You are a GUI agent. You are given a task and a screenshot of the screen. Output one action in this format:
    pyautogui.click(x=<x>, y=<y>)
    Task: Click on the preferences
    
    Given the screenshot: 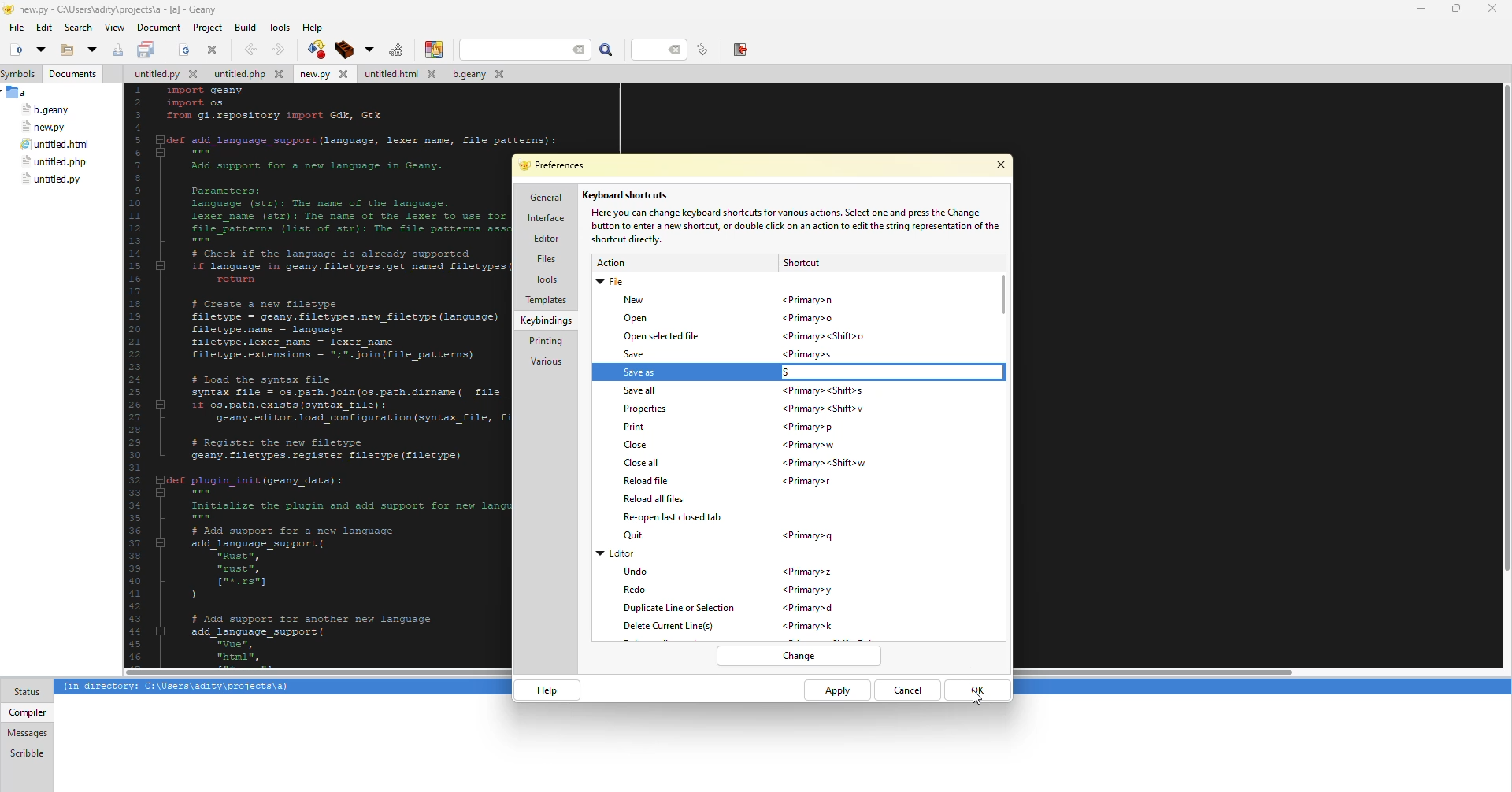 What is the action you would take?
    pyautogui.click(x=557, y=166)
    